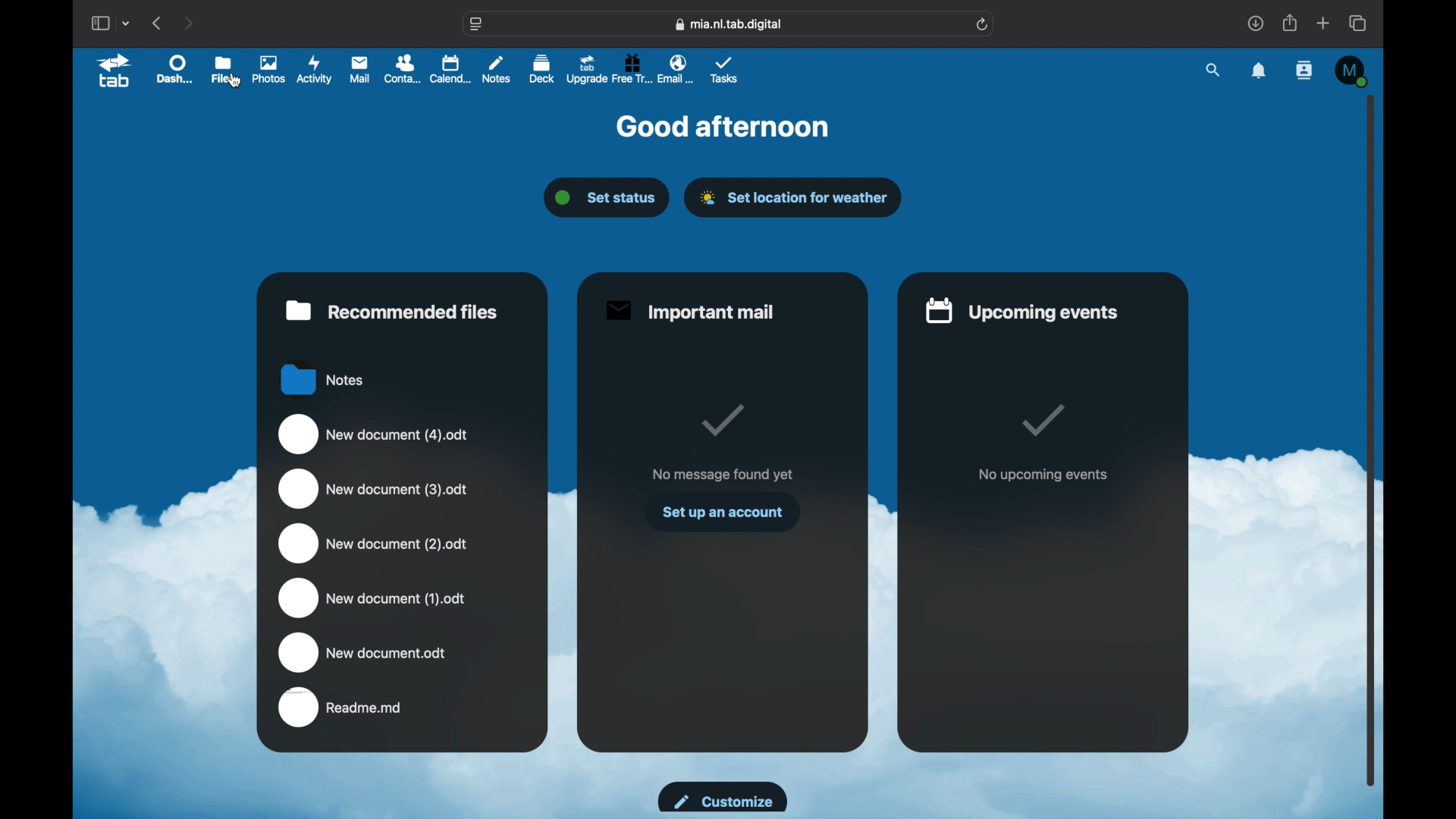  What do you see at coordinates (99, 23) in the screenshot?
I see `show sidebar` at bounding box center [99, 23].